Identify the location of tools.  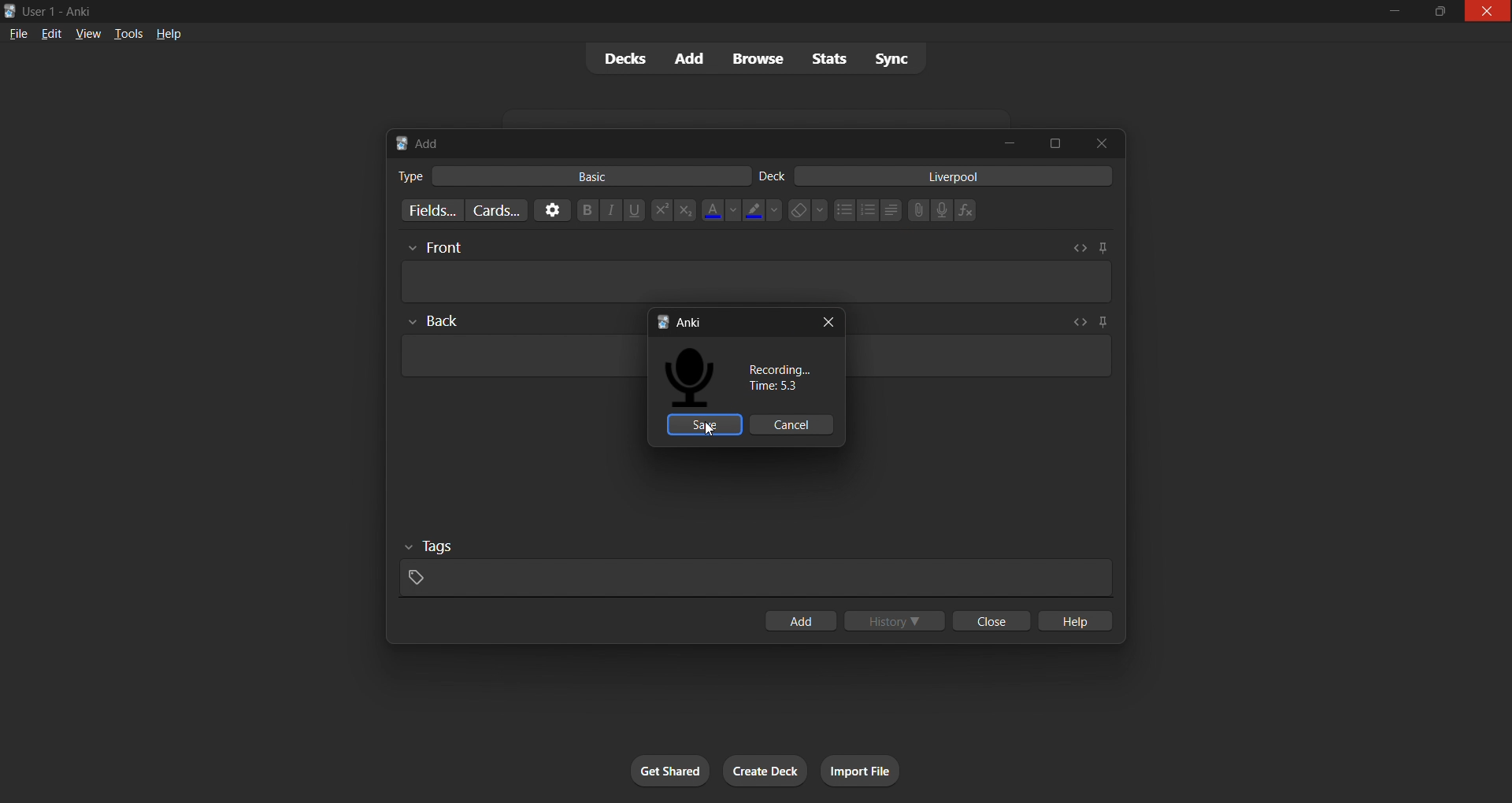
(128, 35).